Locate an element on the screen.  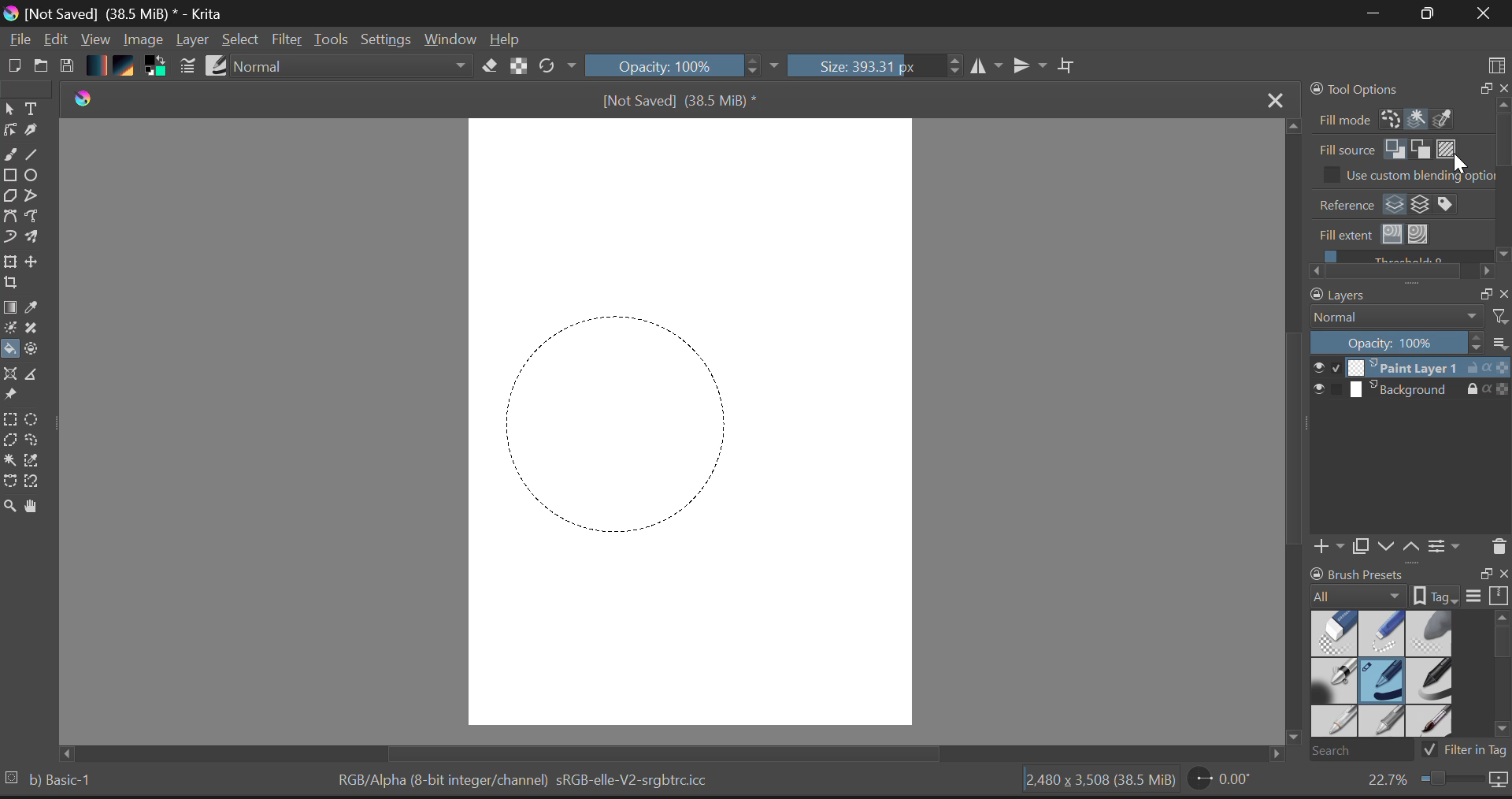
Freehand Path Tool is located at coordinates (36, 217).